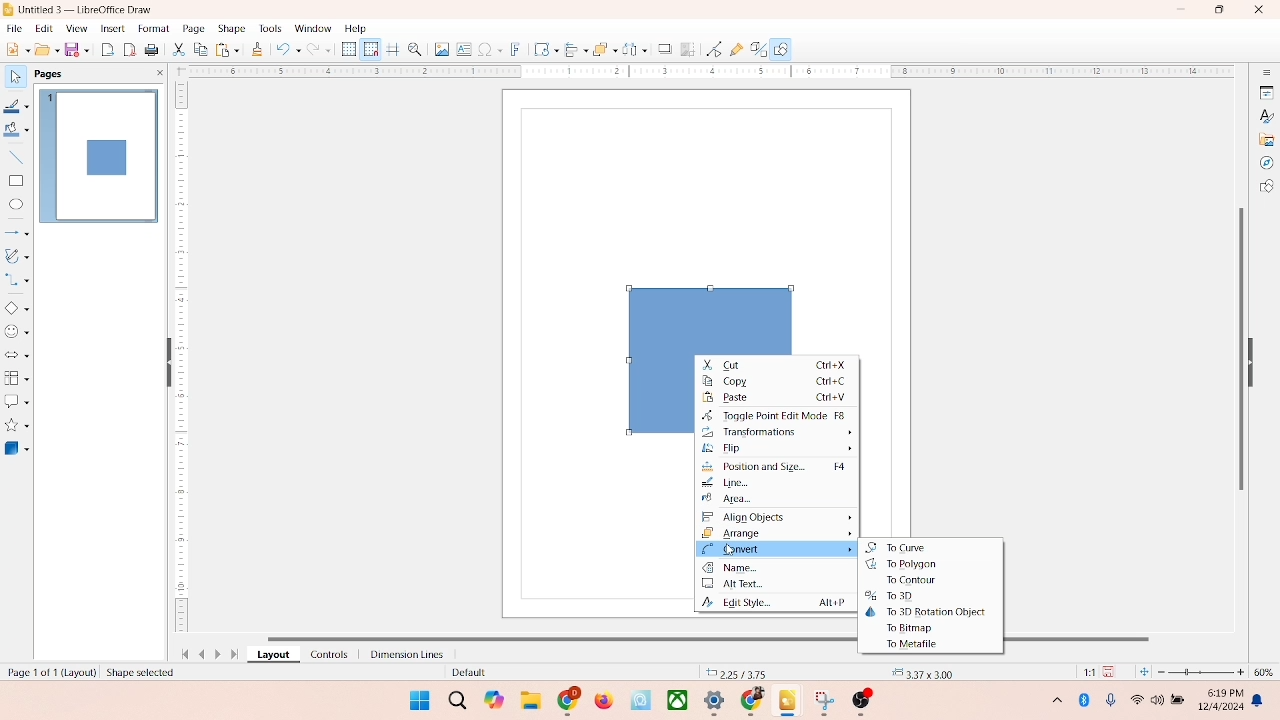 Image resolution: width=1280 pixels, height=720 pixels. I want to click on to 3D rotation, so click(927, 610).